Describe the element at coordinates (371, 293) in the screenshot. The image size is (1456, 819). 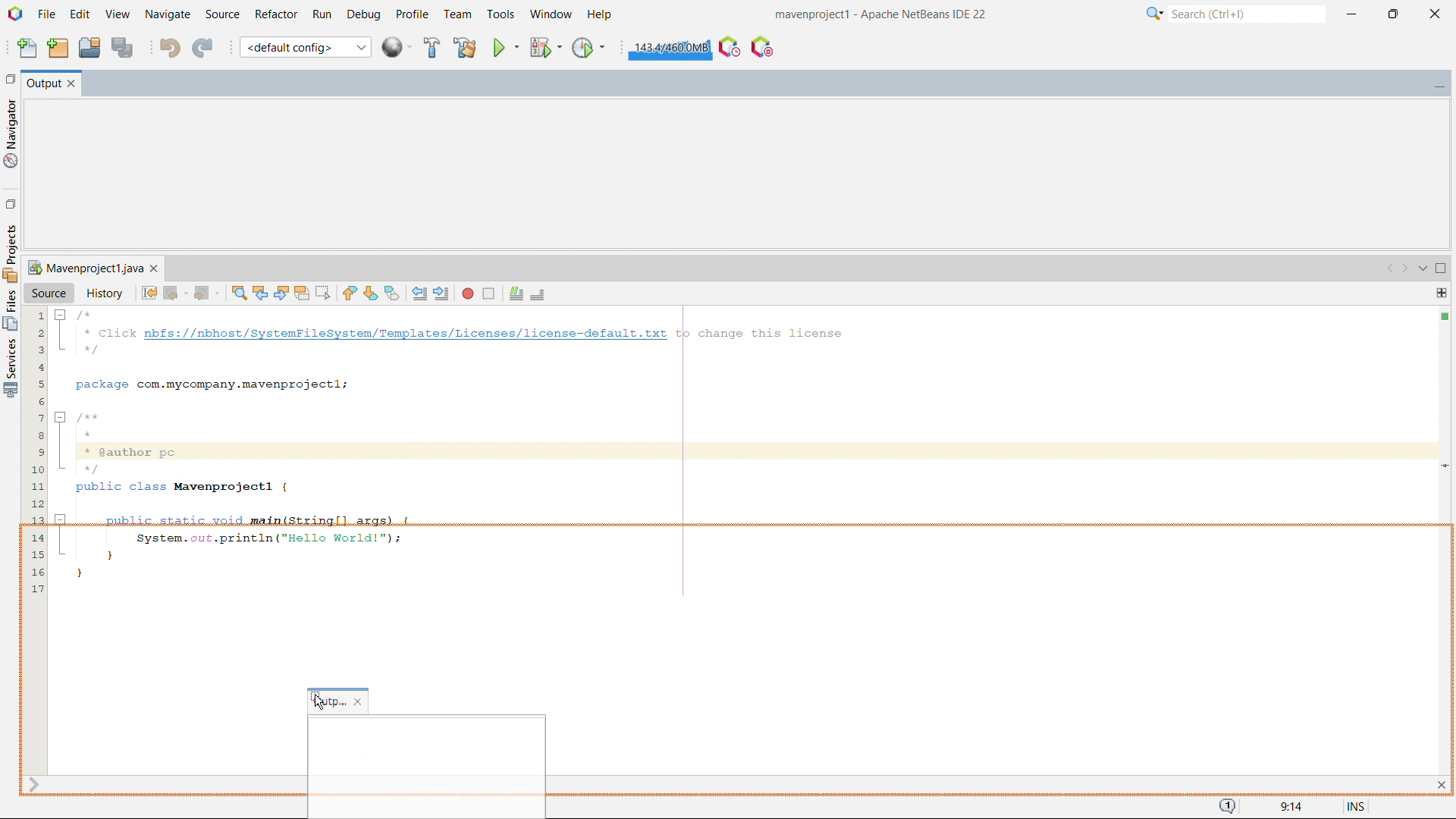
I see `next bookmark` at that location.